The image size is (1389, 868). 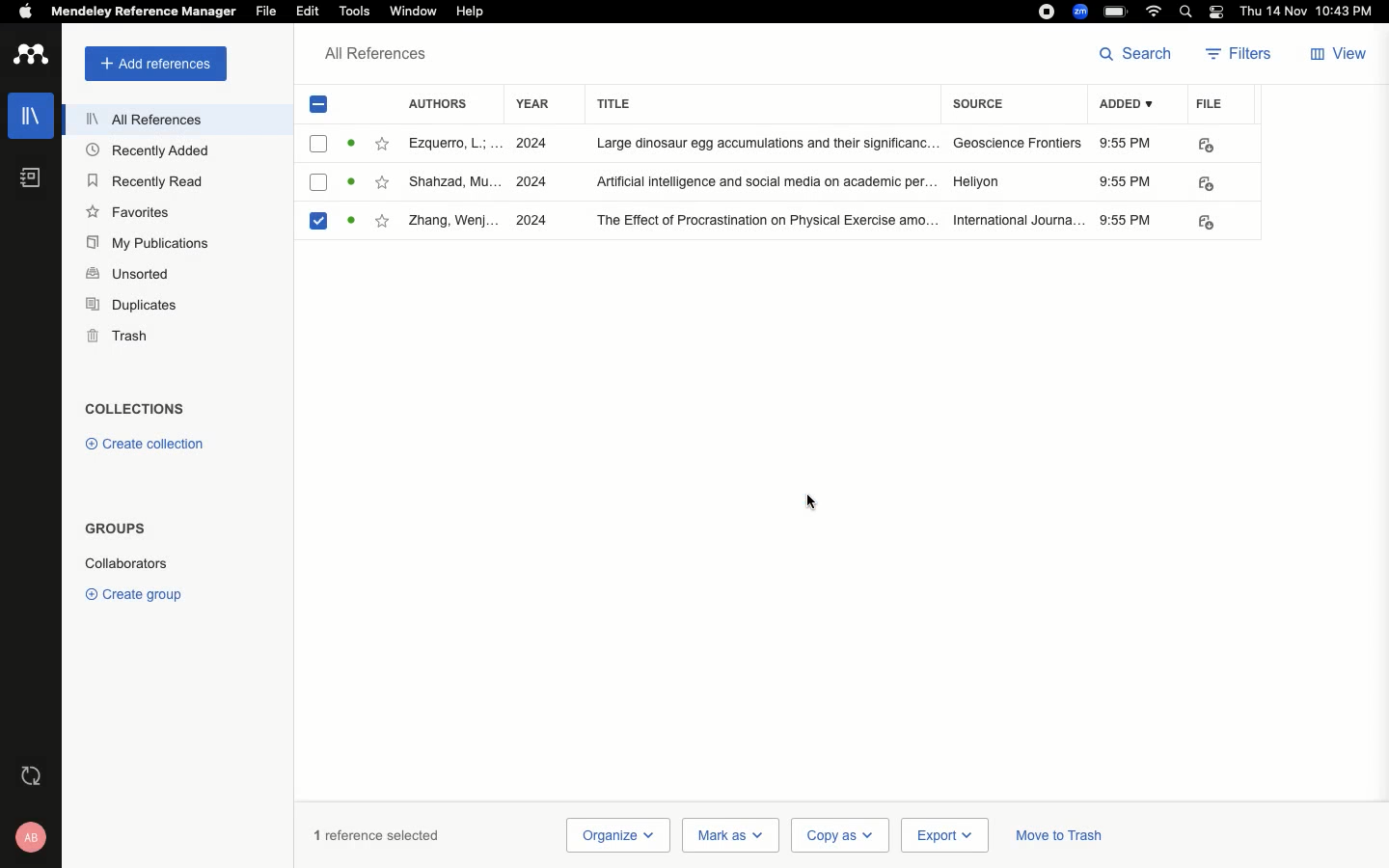 I want to click on Help, so click(x=479, y=11).